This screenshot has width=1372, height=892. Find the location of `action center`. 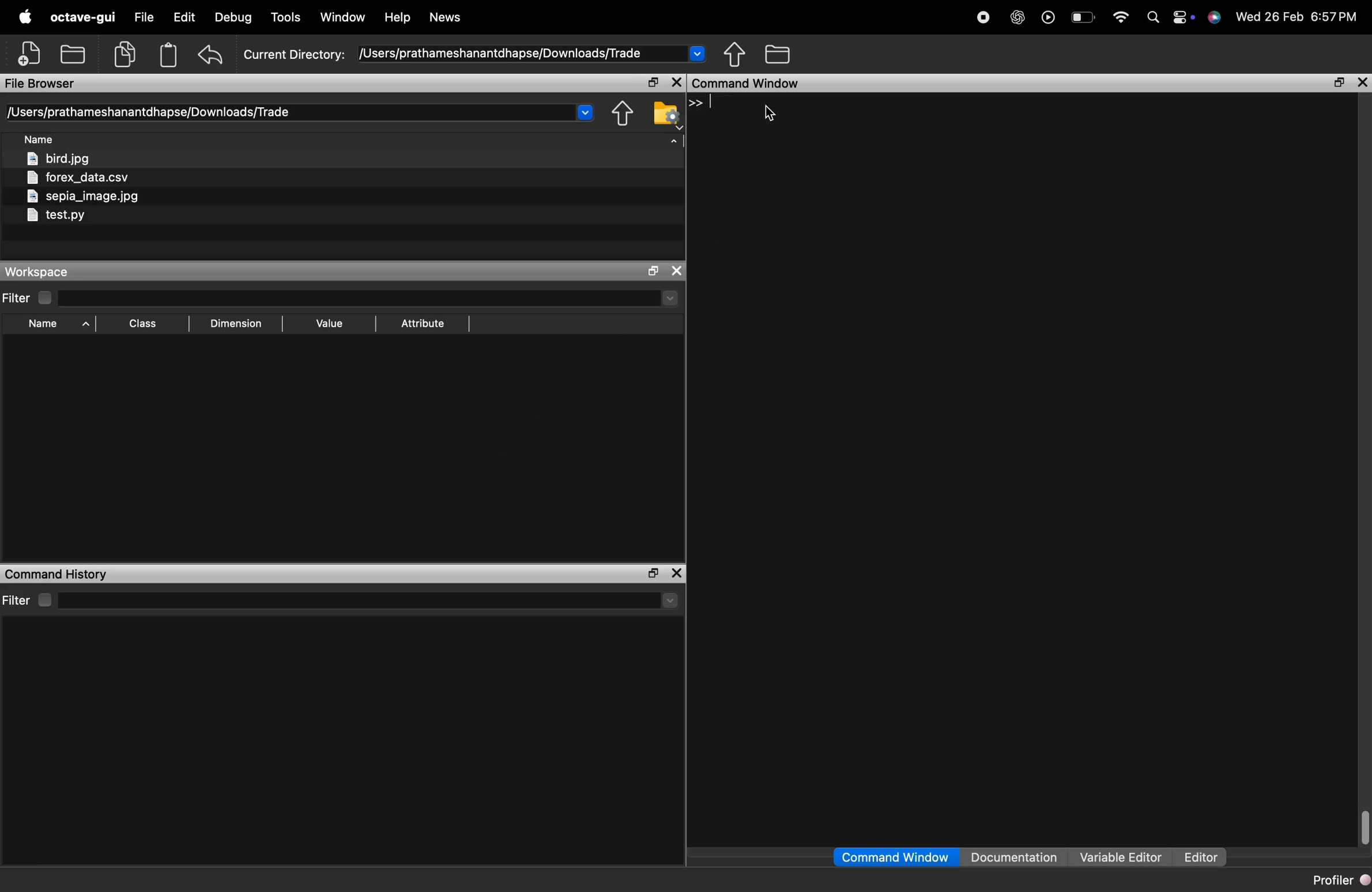

action center is located at coordinates (1186, 18).